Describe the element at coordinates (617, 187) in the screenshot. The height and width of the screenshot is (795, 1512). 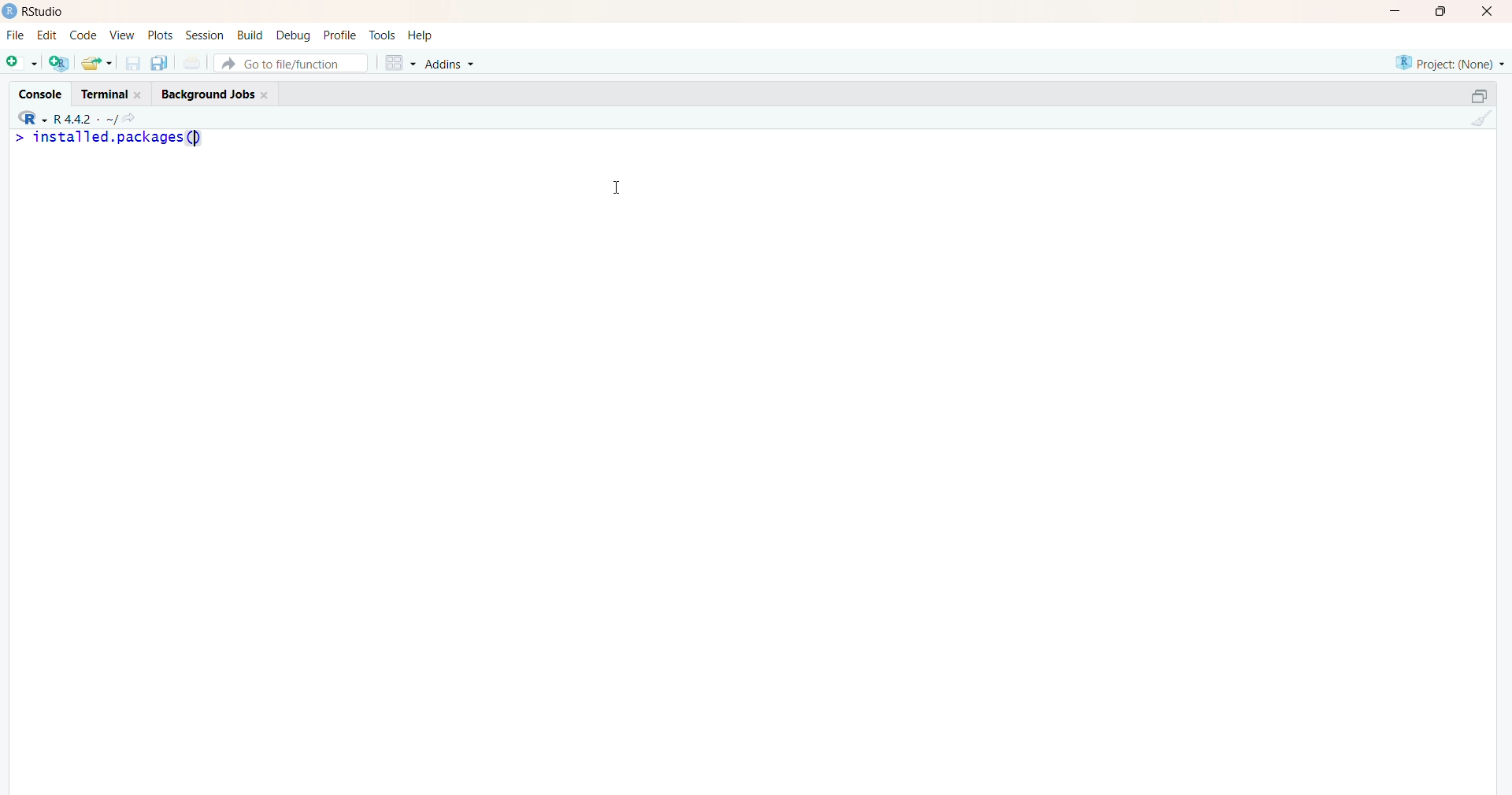
I see `cursor` at that location.